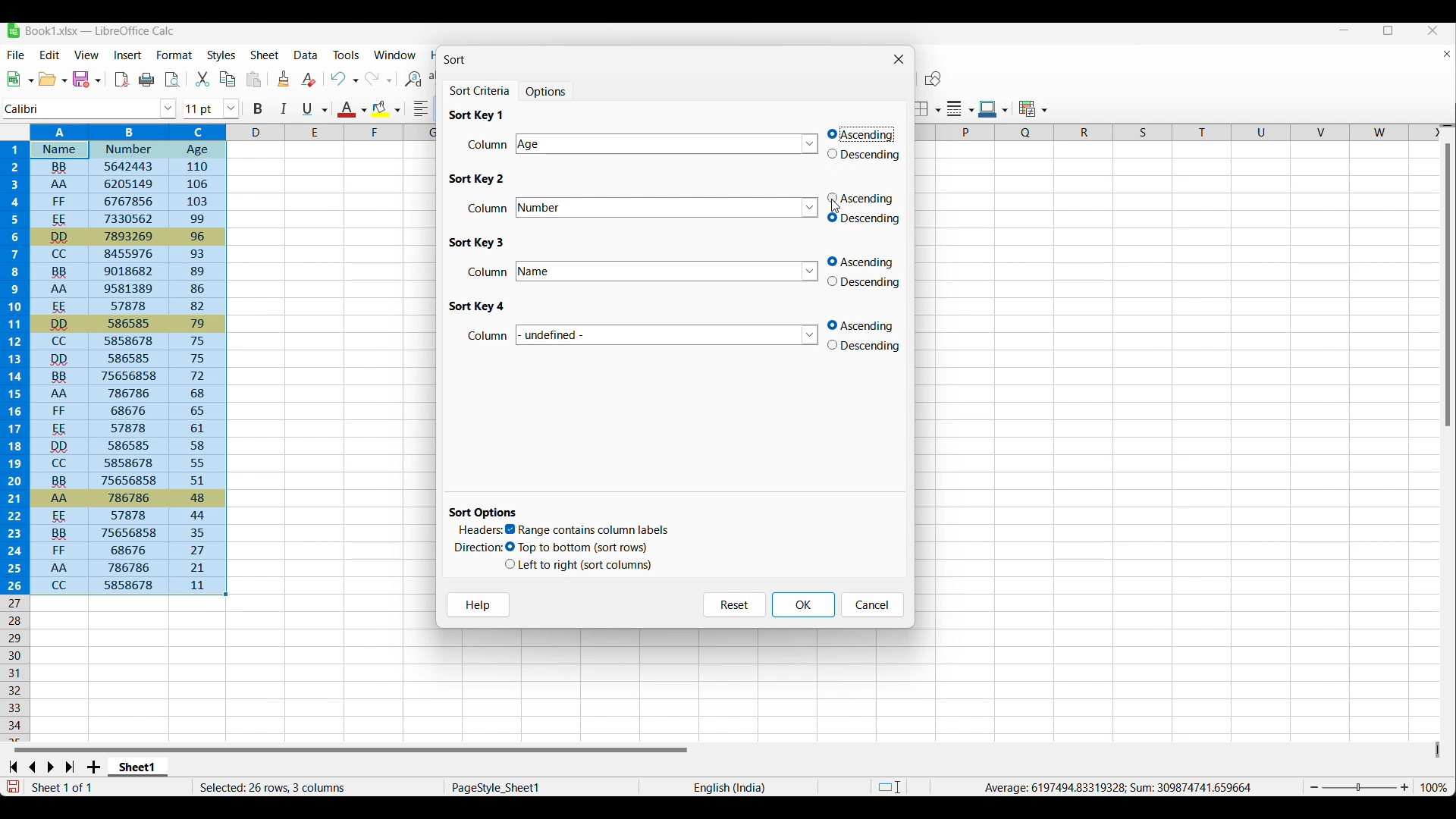 This screenshot has width=1456, height=819. What do you see at coordinates (227, 79) in the screenshot?
I see `Copy` at bounding box center [227, 79].